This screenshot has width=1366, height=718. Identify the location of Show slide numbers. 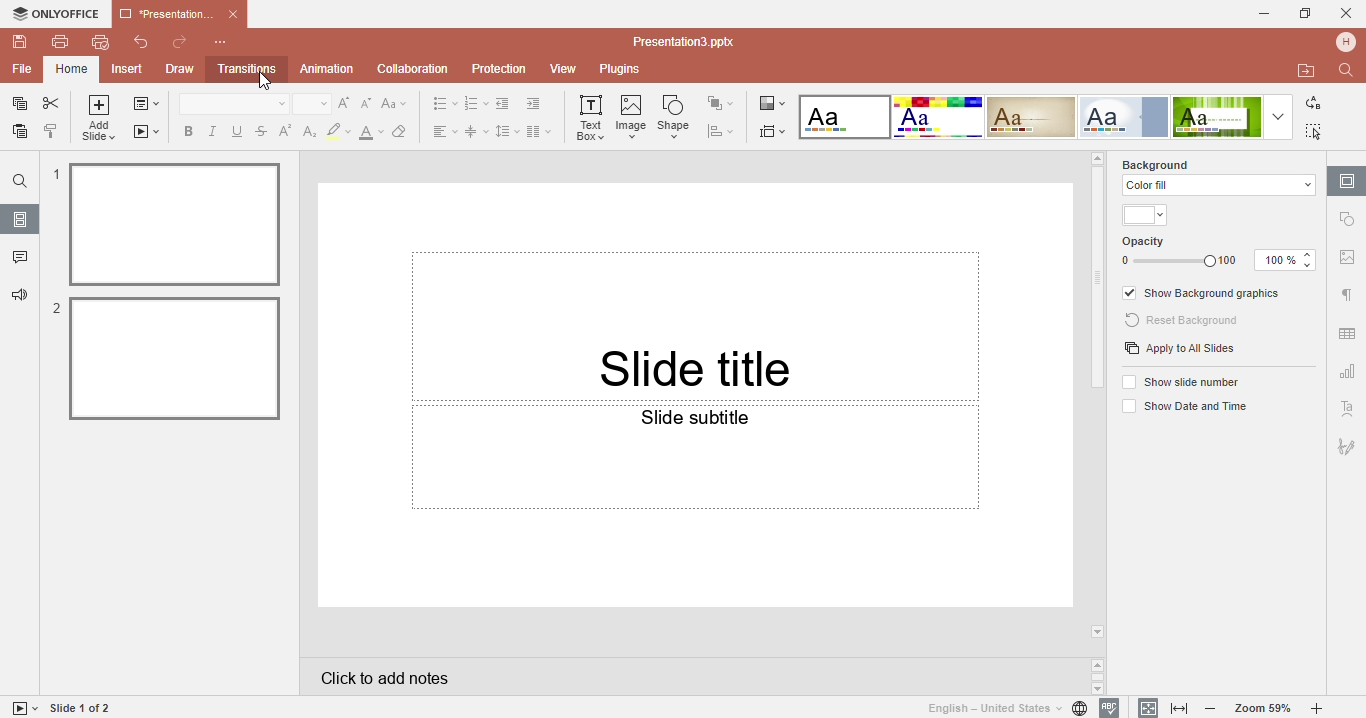
(1184, 381).